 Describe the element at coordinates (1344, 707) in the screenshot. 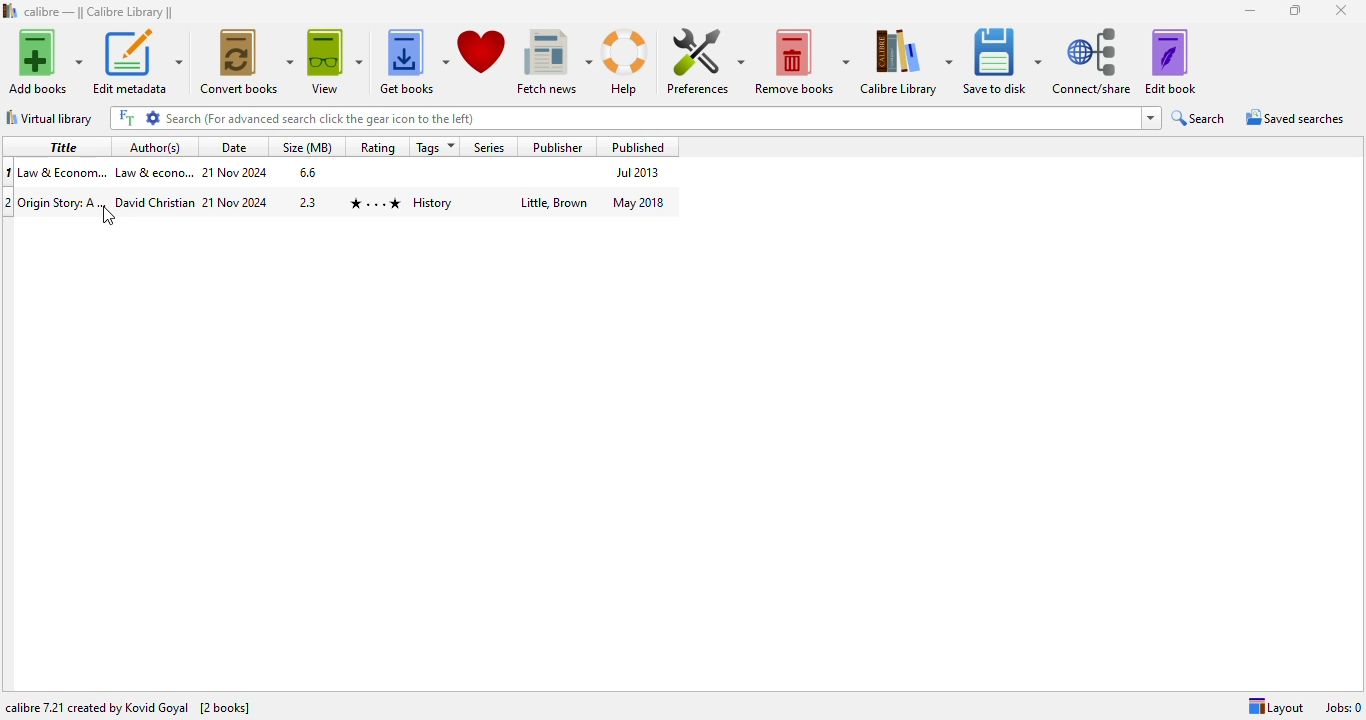

I see `jobs: 0` at that location.